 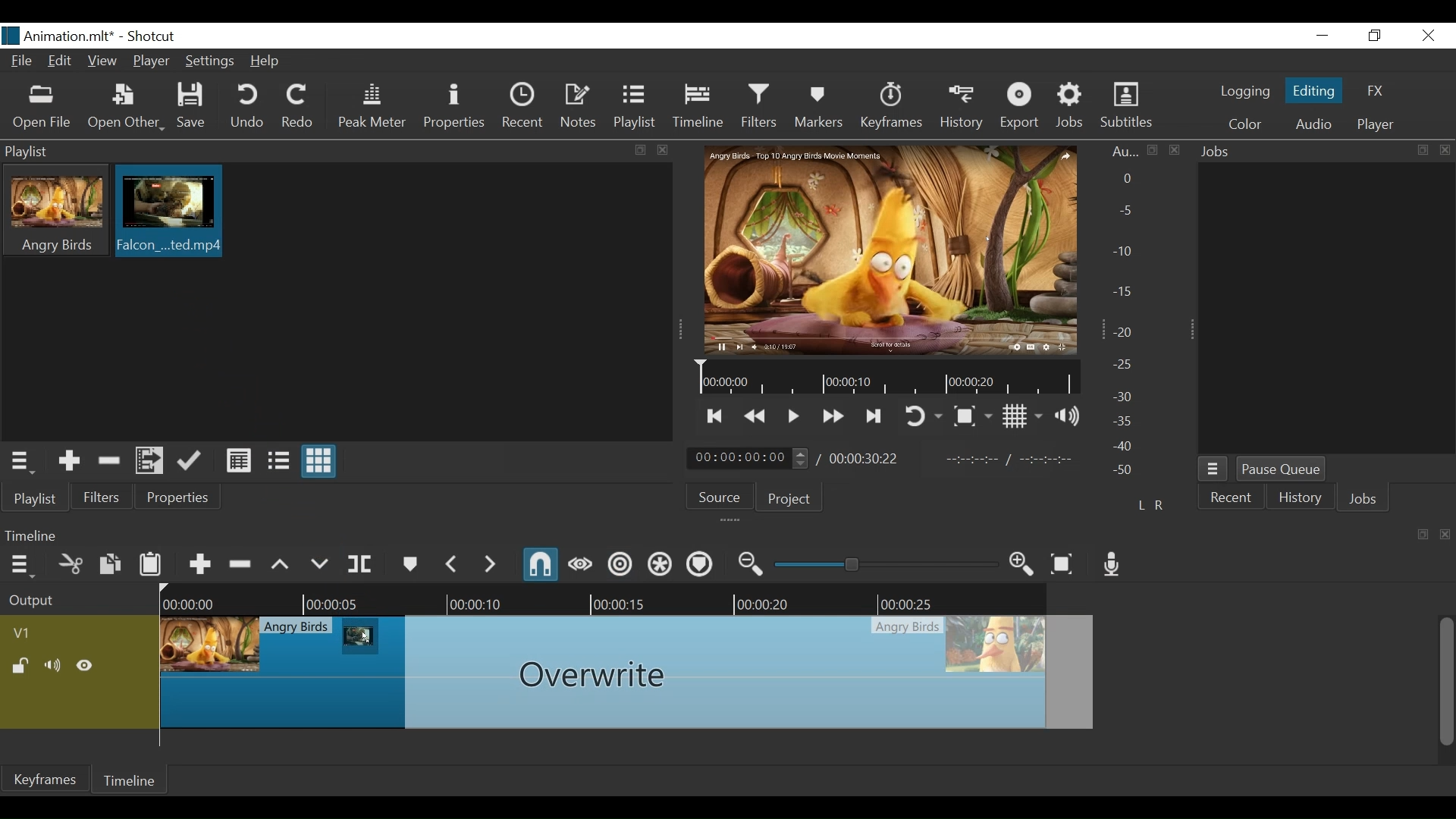 What do you see at coordinates (110, 460) in the screenshot?
I see `Remove Cut` at bounding box center [110, 460].